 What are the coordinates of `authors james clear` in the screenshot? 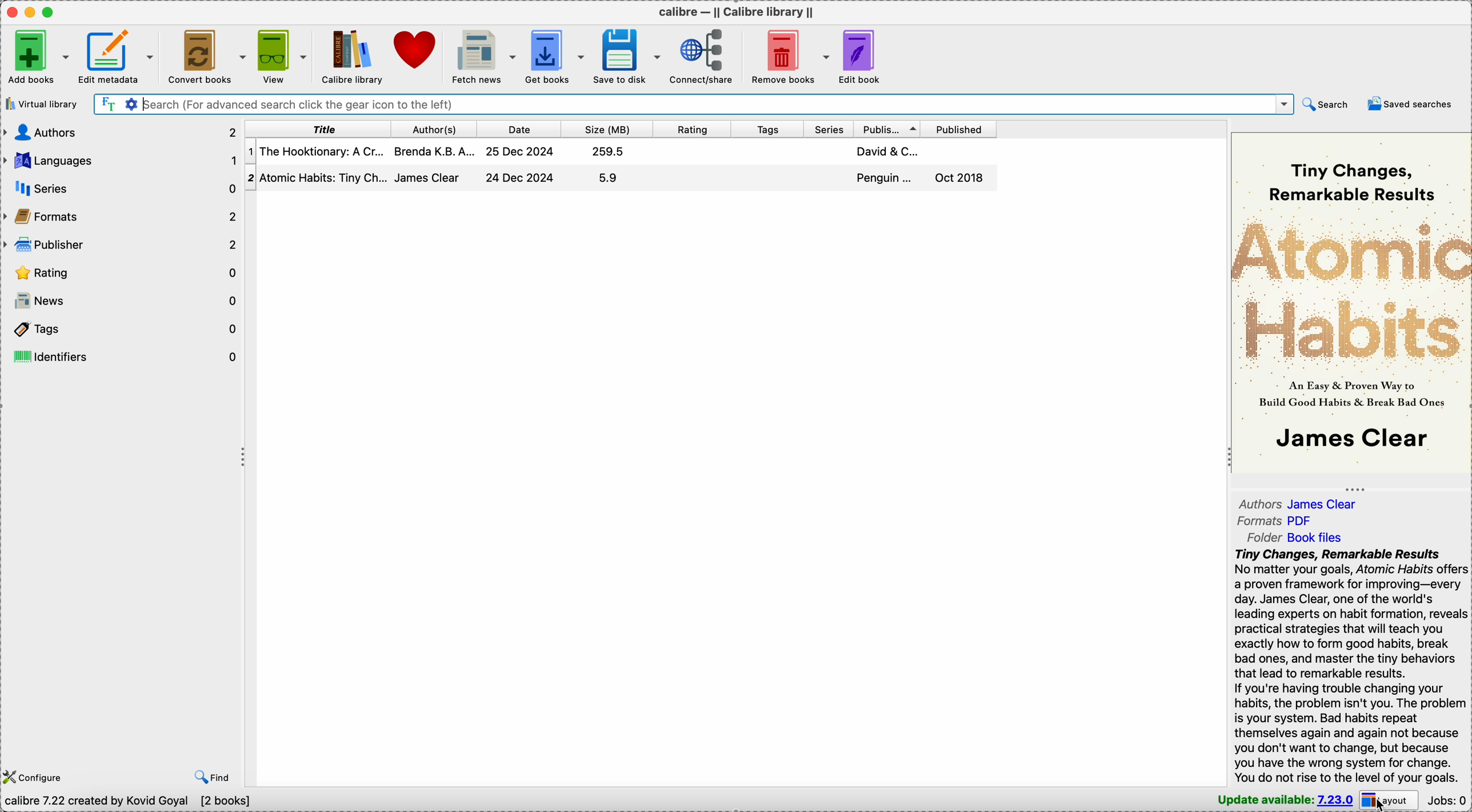 It's located at (1297, 503).